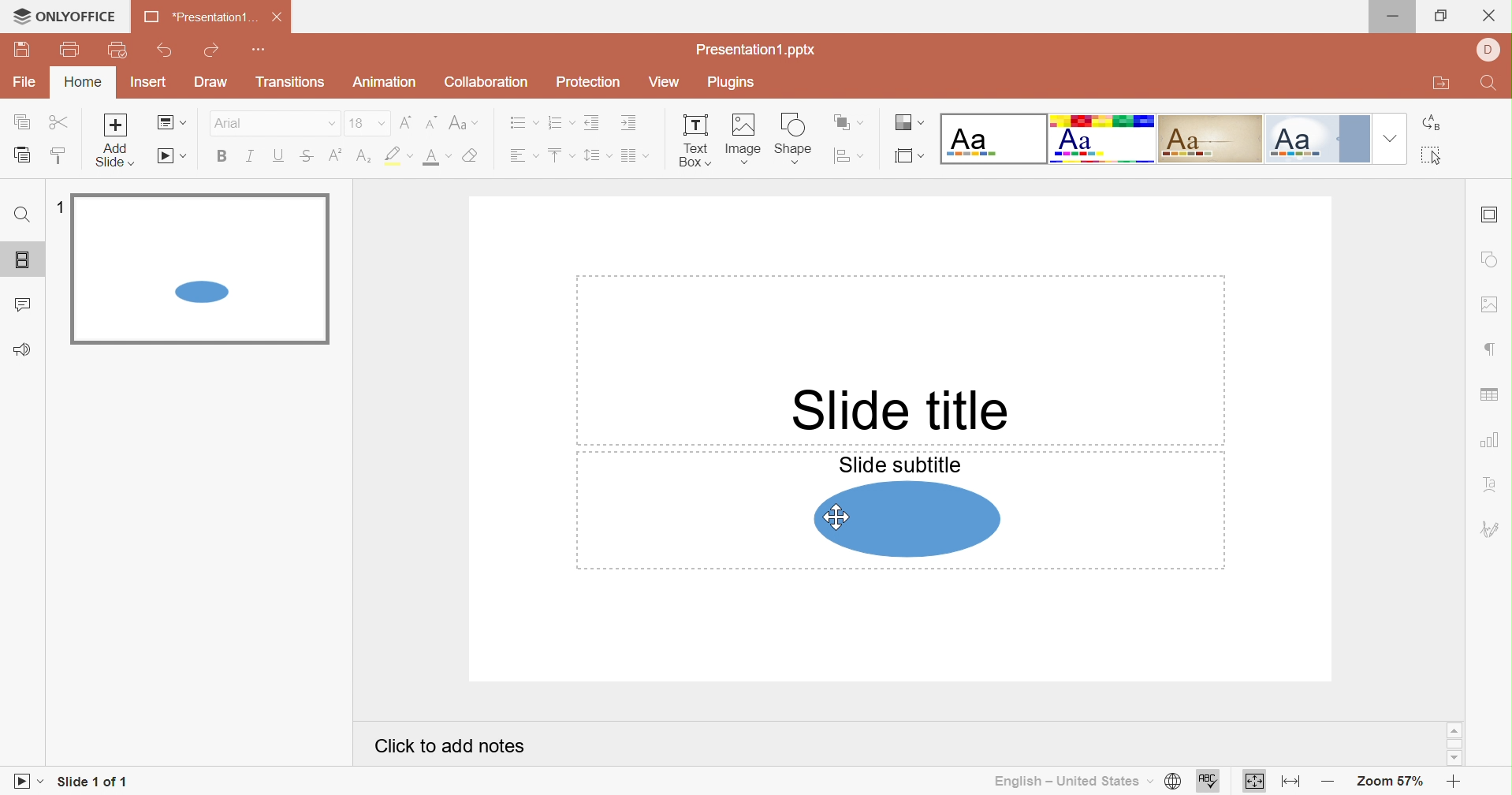 This screenshot has height=795, width=1512. Describe the element at coordinates (1489, 16) in the screenshot. I see `Close` at that location.